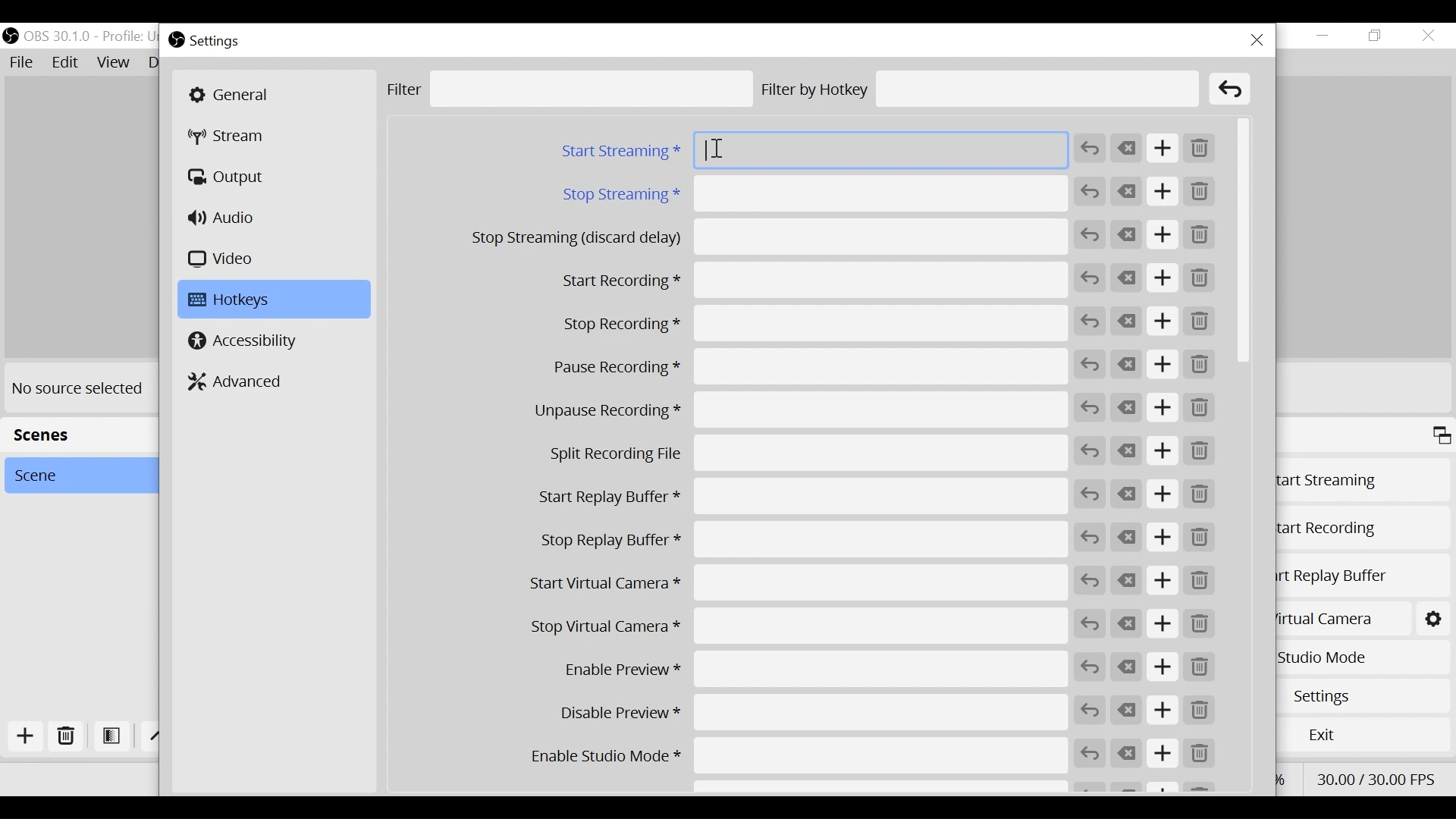 The height and width of the screenshot is (819, 1456). I want to click on Add, so click(1166, 278).